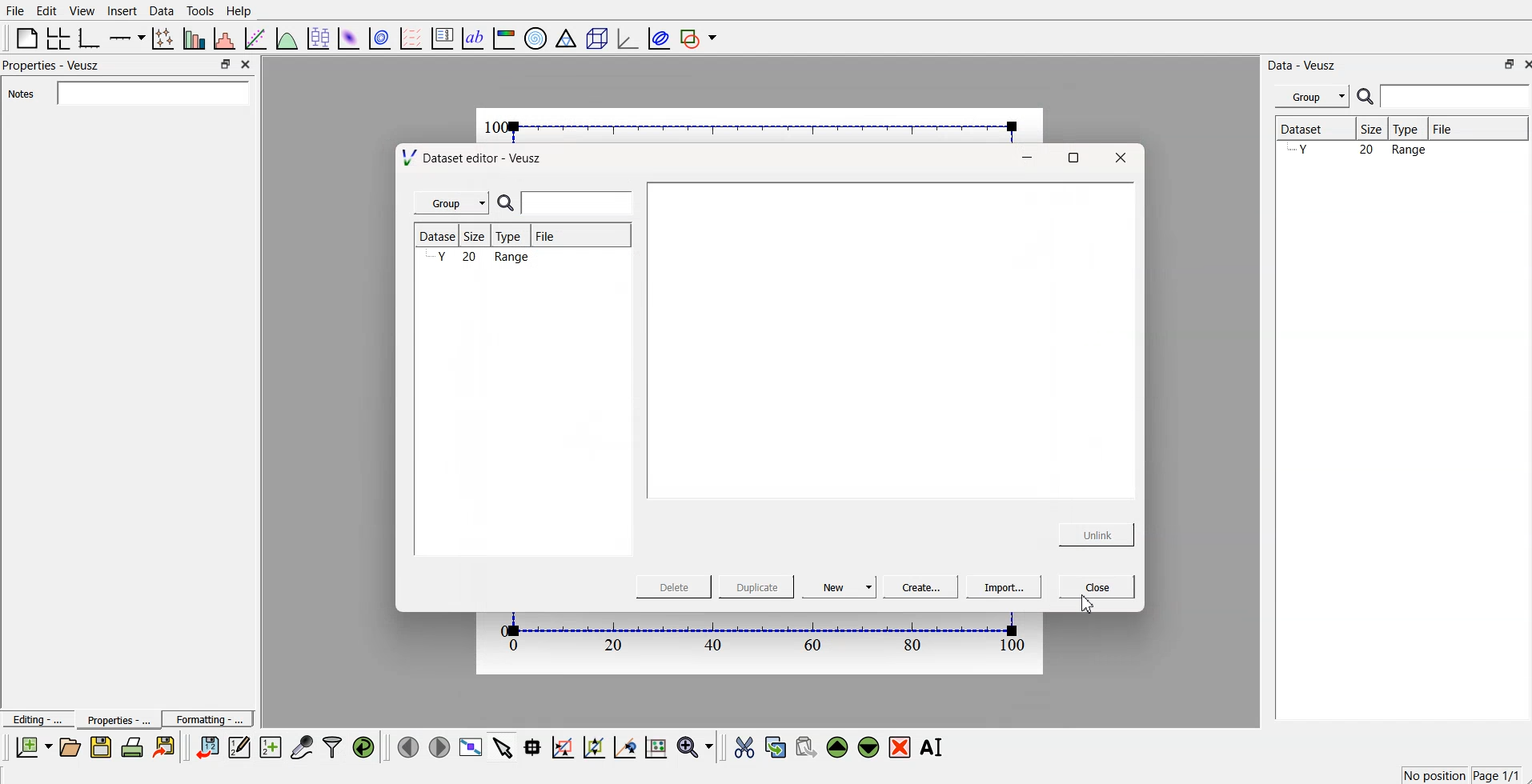 This screenshot has height=784, width=1532. I want to click on Maximize, so click(1072, 161).